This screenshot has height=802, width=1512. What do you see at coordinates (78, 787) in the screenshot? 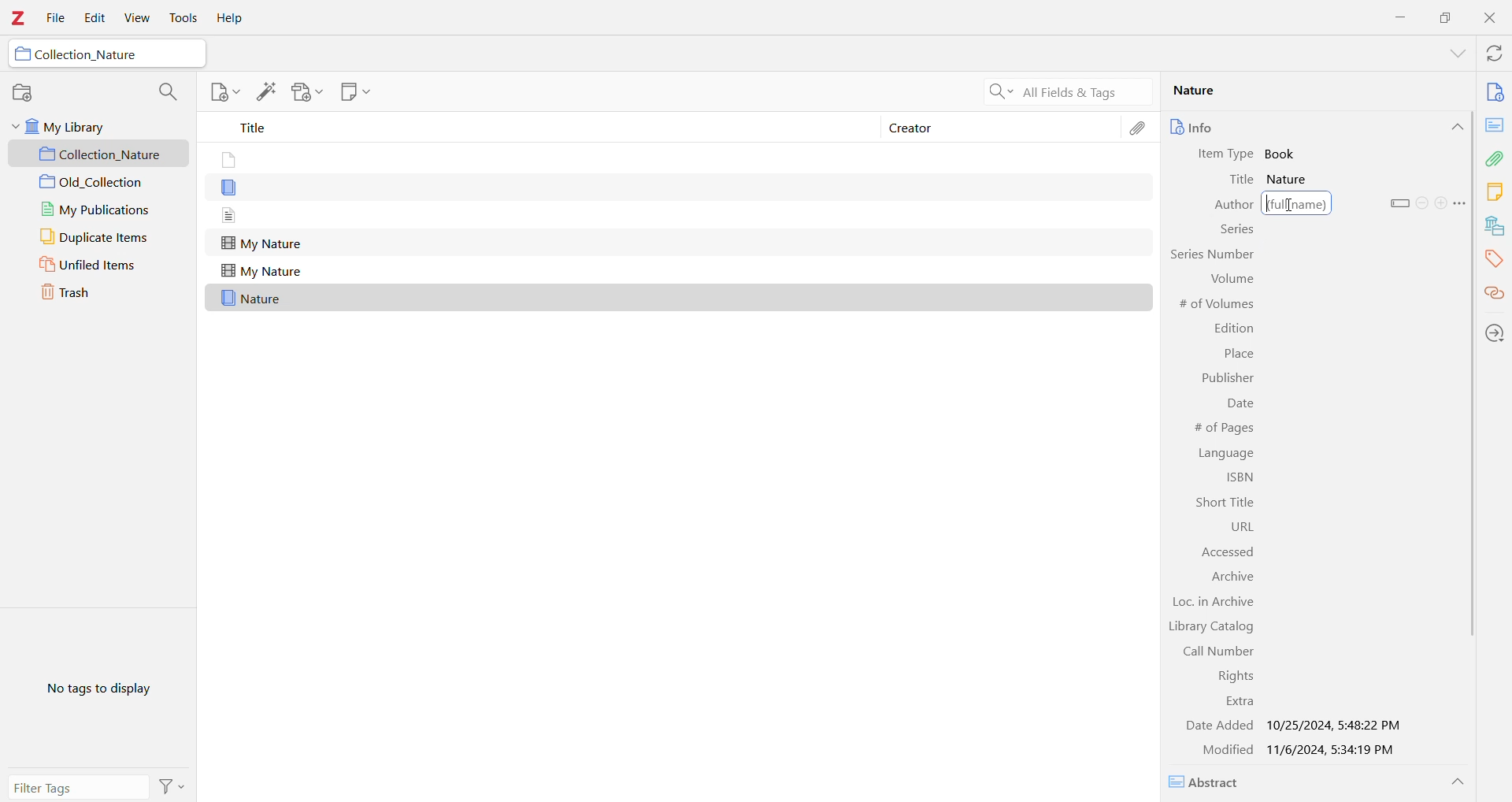
I see `Filter Tags` at bounding box center [78, 787].